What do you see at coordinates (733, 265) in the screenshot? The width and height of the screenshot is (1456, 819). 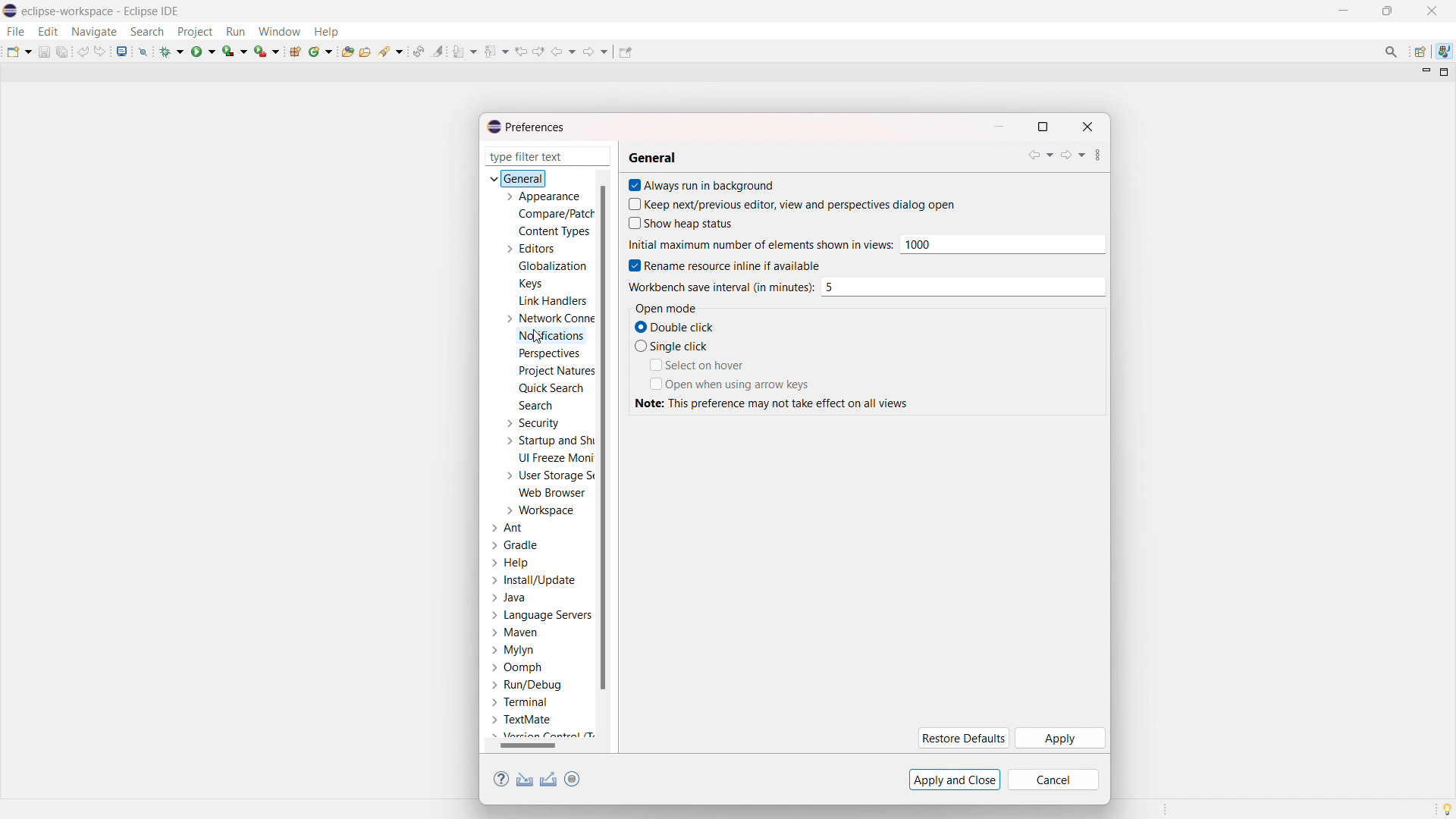 I see `resume resource inline if available` at bounding box center [733, 265].